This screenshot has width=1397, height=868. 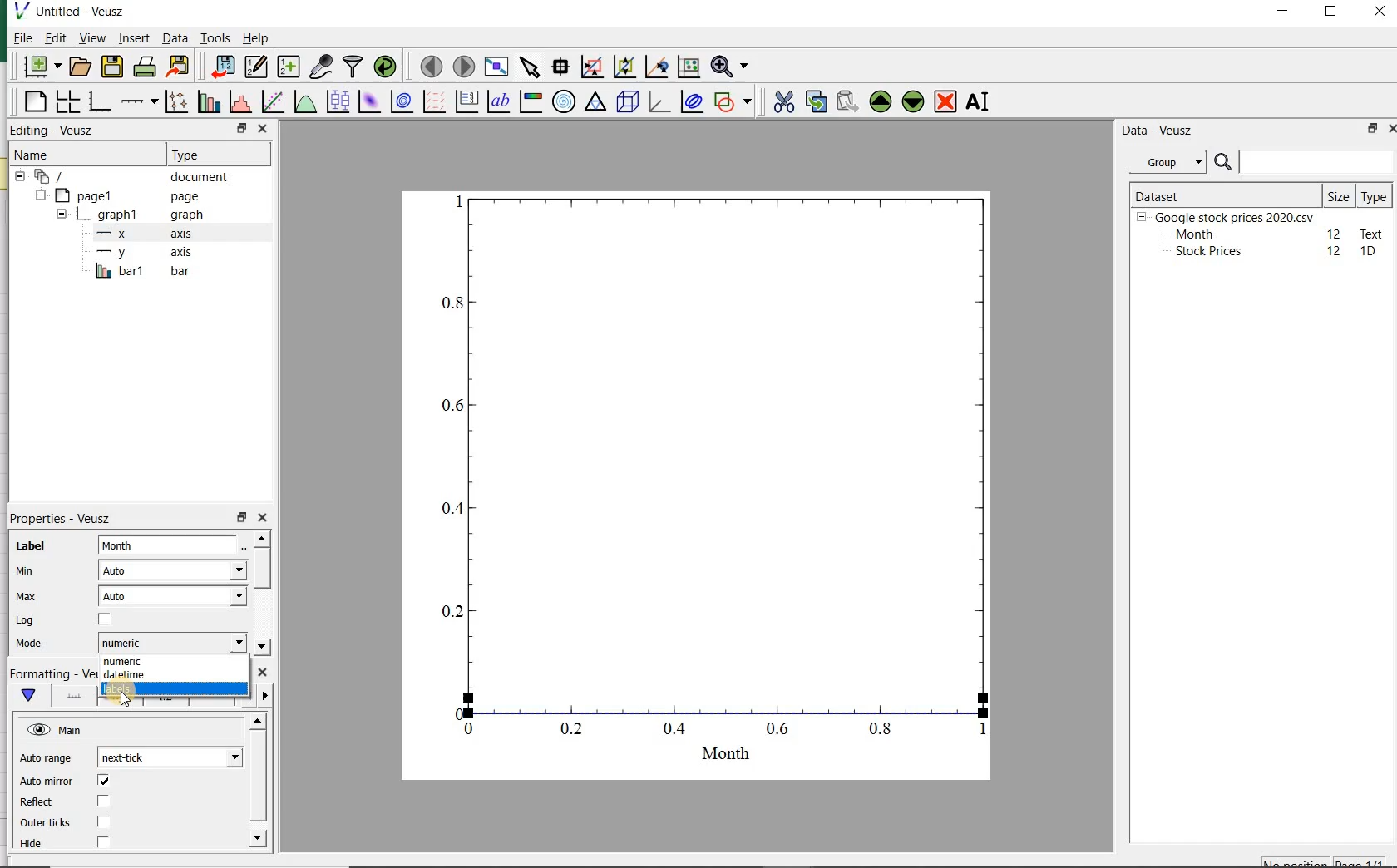 I want to click on close, so click(x=262, y=673).